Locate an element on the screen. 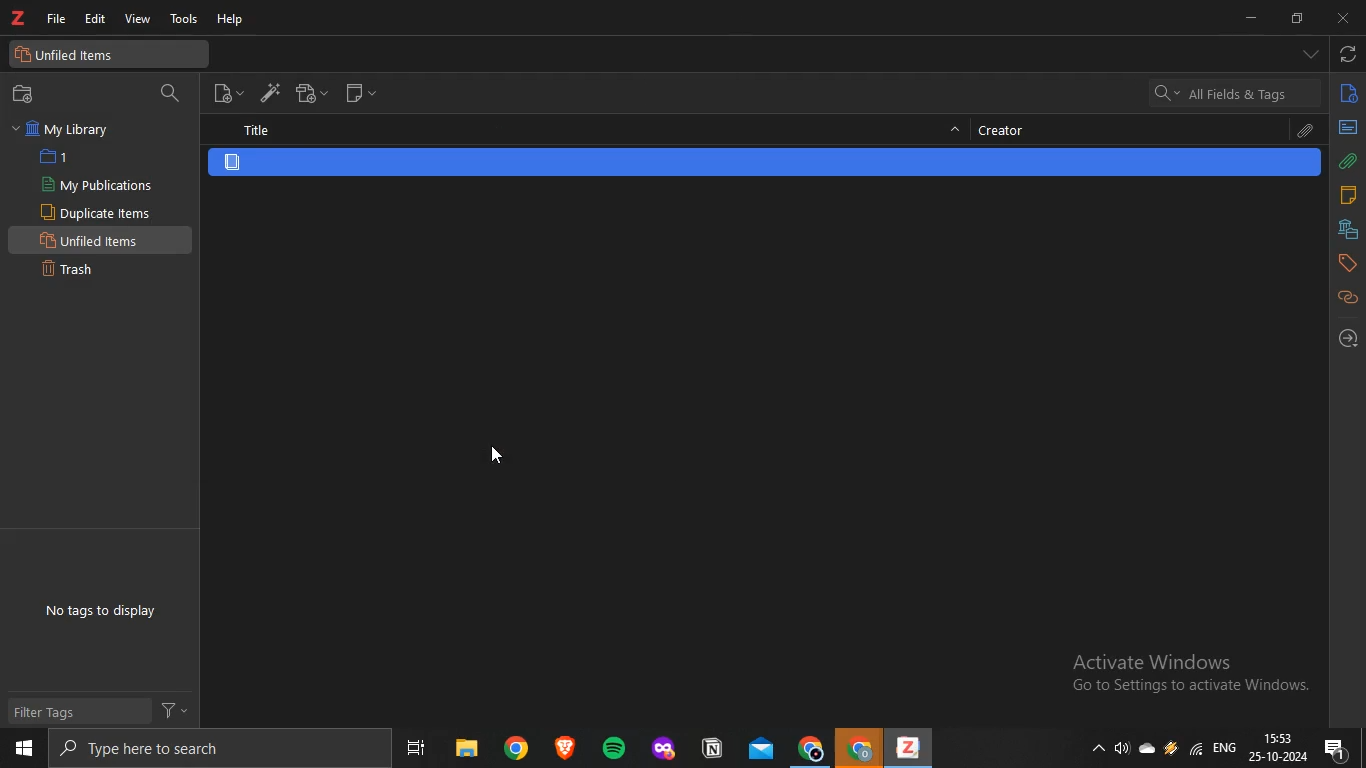  close is located at coordinates (1341, 19).